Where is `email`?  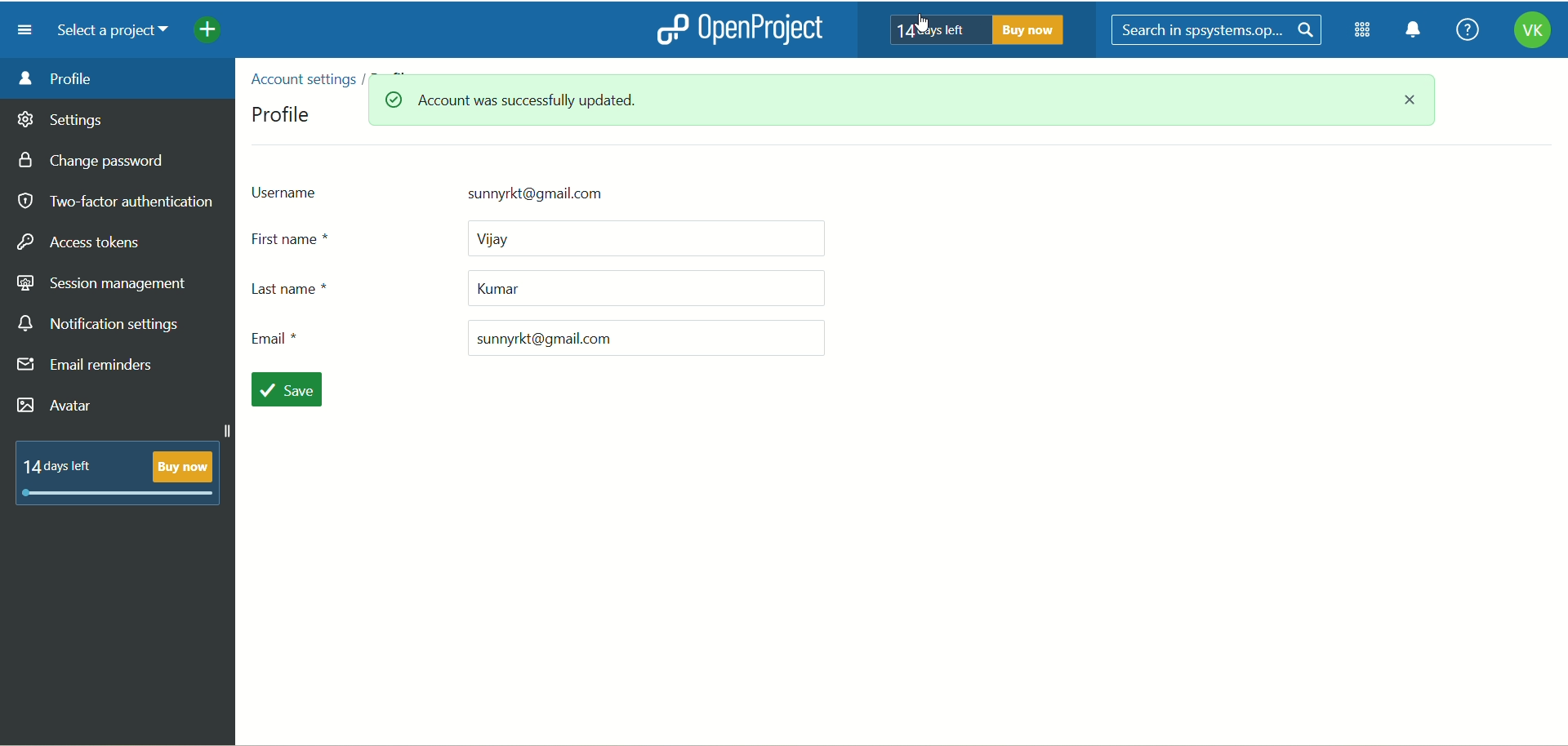 email is located at coordinates (533, 338).